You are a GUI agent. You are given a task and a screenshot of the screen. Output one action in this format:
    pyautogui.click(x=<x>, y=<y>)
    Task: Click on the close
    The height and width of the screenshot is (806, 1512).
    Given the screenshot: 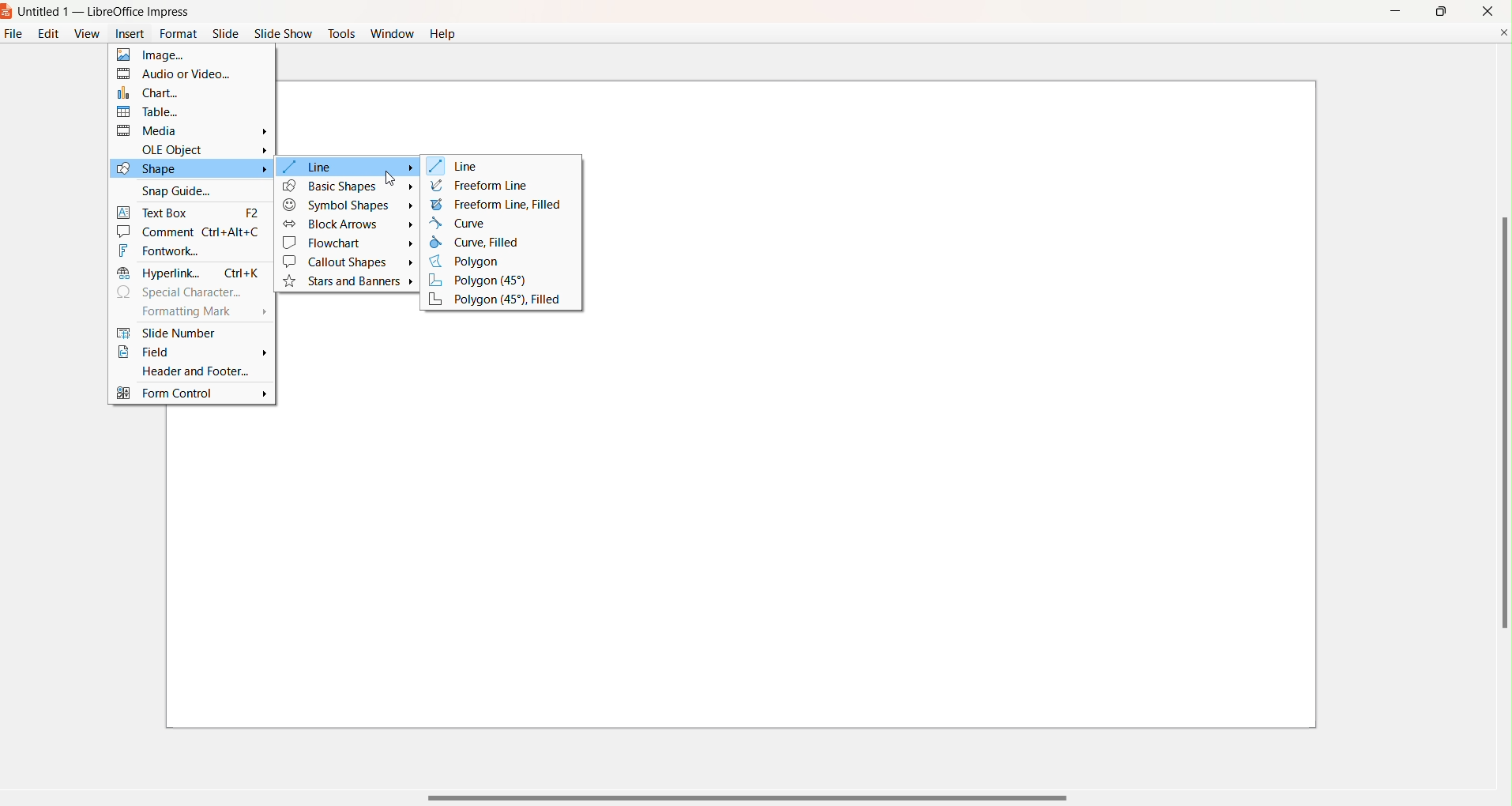 What is the action you would take?
    pyautogui.click(x=1488, y=10)
    